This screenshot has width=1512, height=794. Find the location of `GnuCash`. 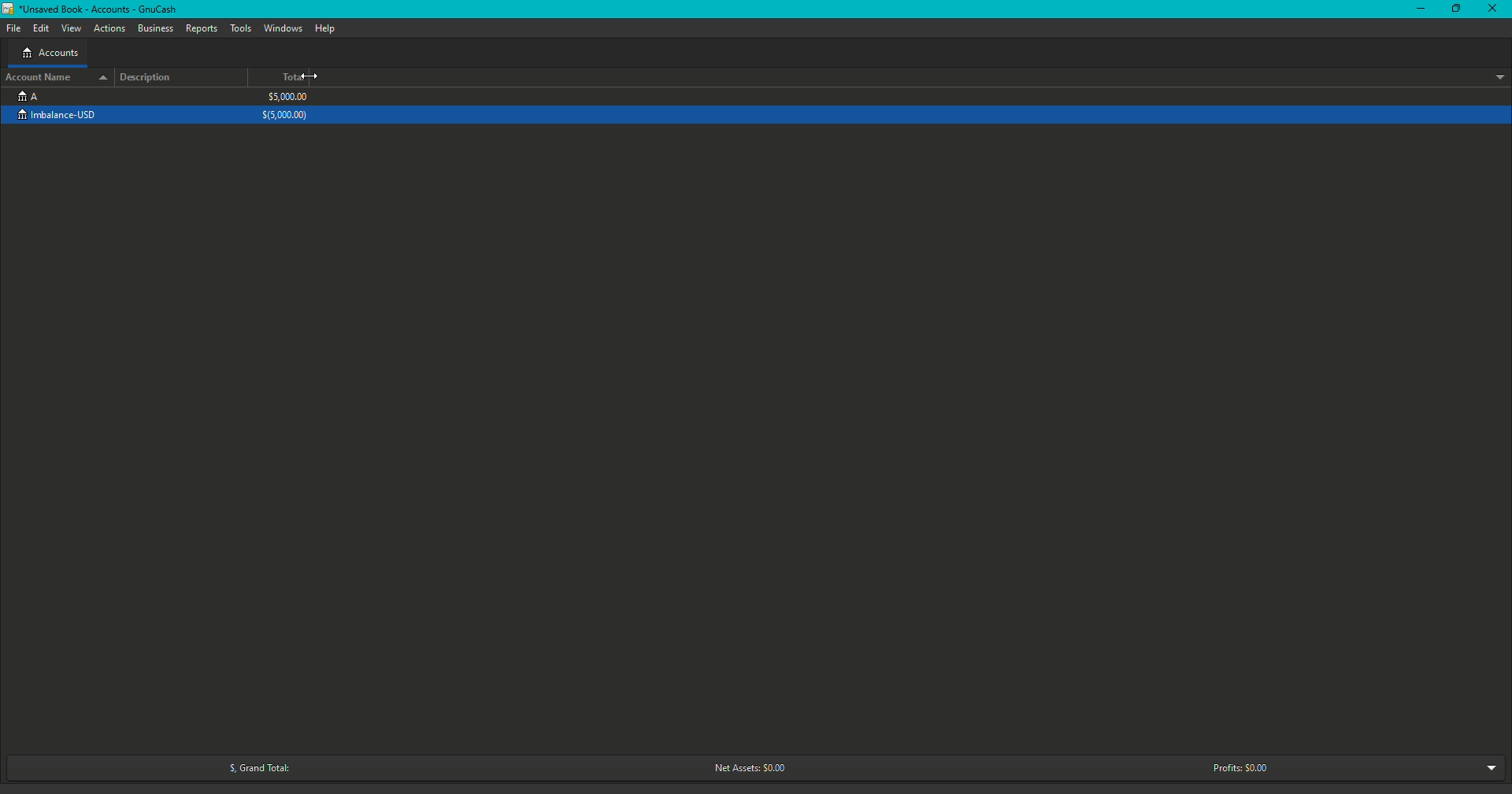

GnuCash is located at coordinates (93, 11).